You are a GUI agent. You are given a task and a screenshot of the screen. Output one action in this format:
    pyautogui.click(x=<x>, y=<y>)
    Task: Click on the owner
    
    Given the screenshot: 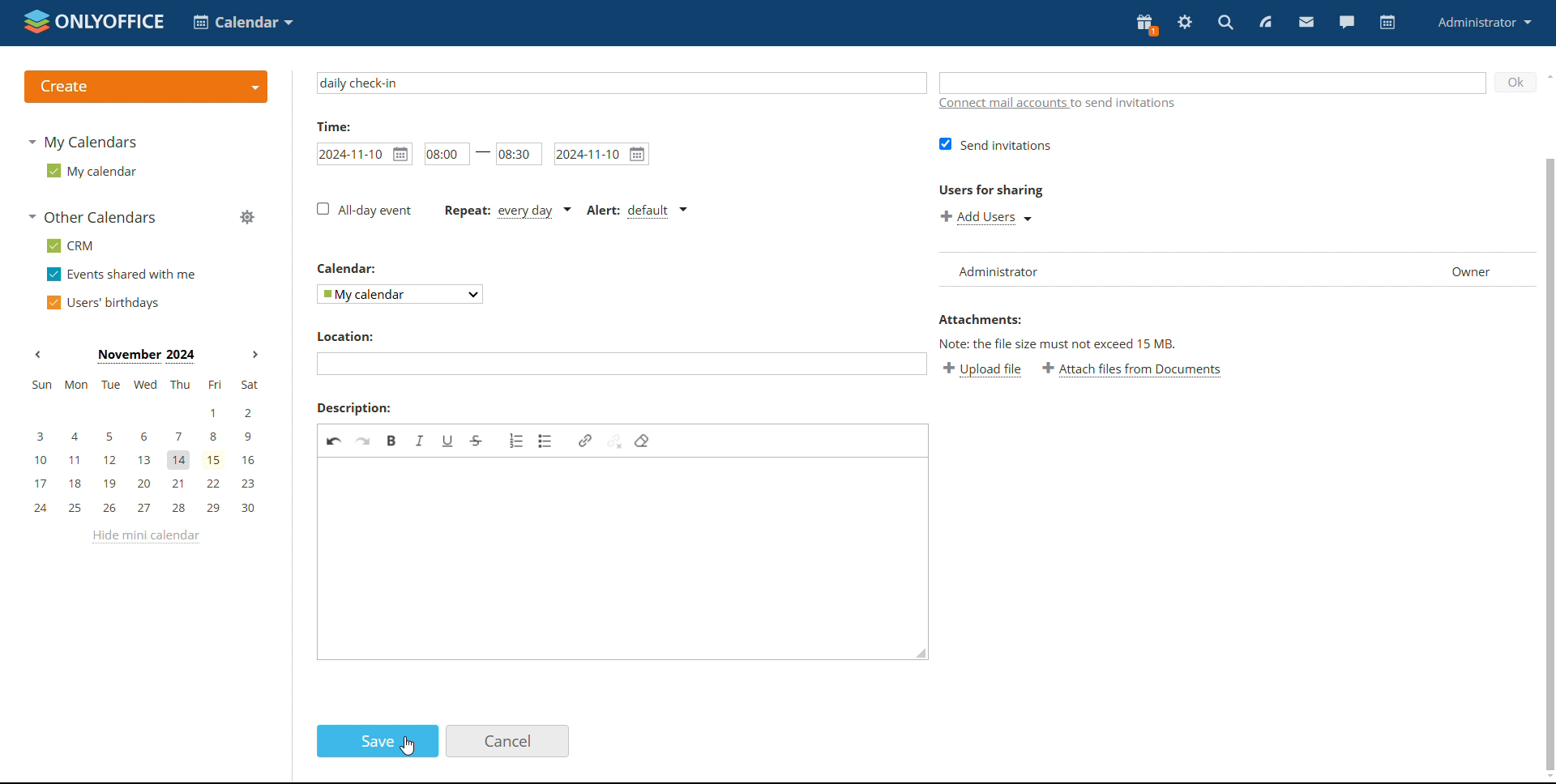 What is the action you would take?
    pyautogui.click(x=1466, y=273)
    